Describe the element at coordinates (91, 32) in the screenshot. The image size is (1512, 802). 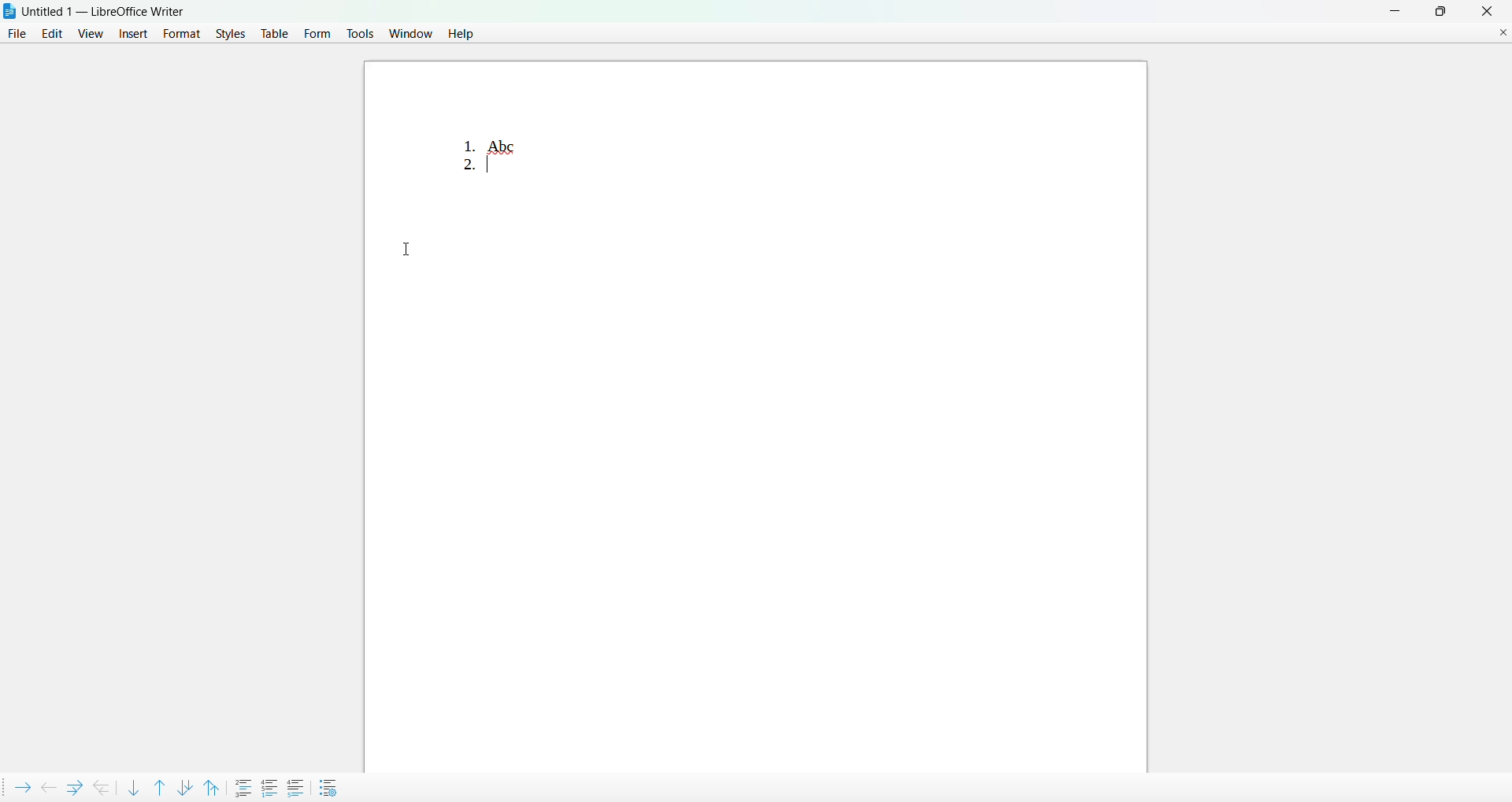
I see `view` at that location.